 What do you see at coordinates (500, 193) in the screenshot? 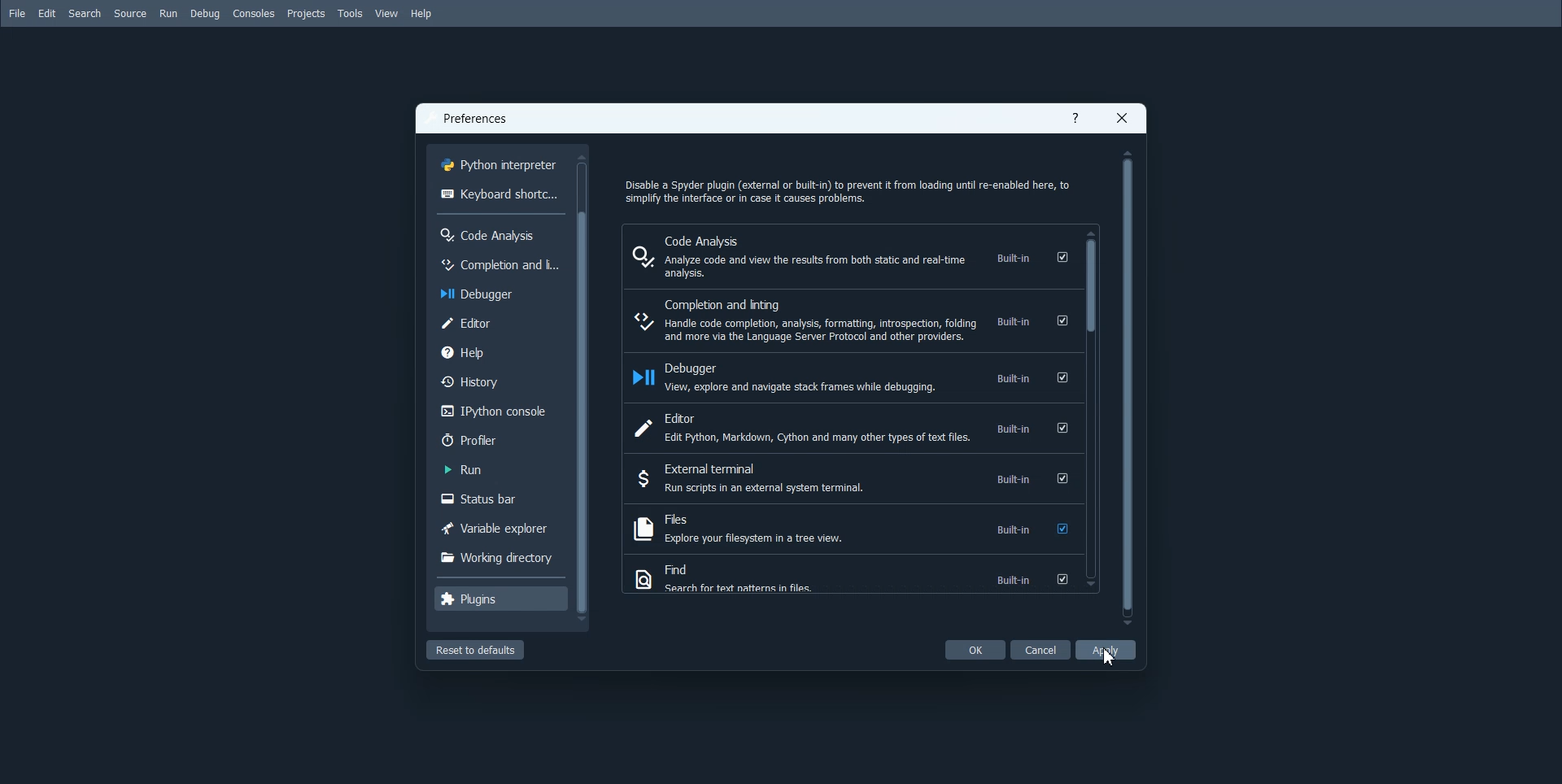
I see `Keyboard shortcuts` at bounding box center [500, 193].